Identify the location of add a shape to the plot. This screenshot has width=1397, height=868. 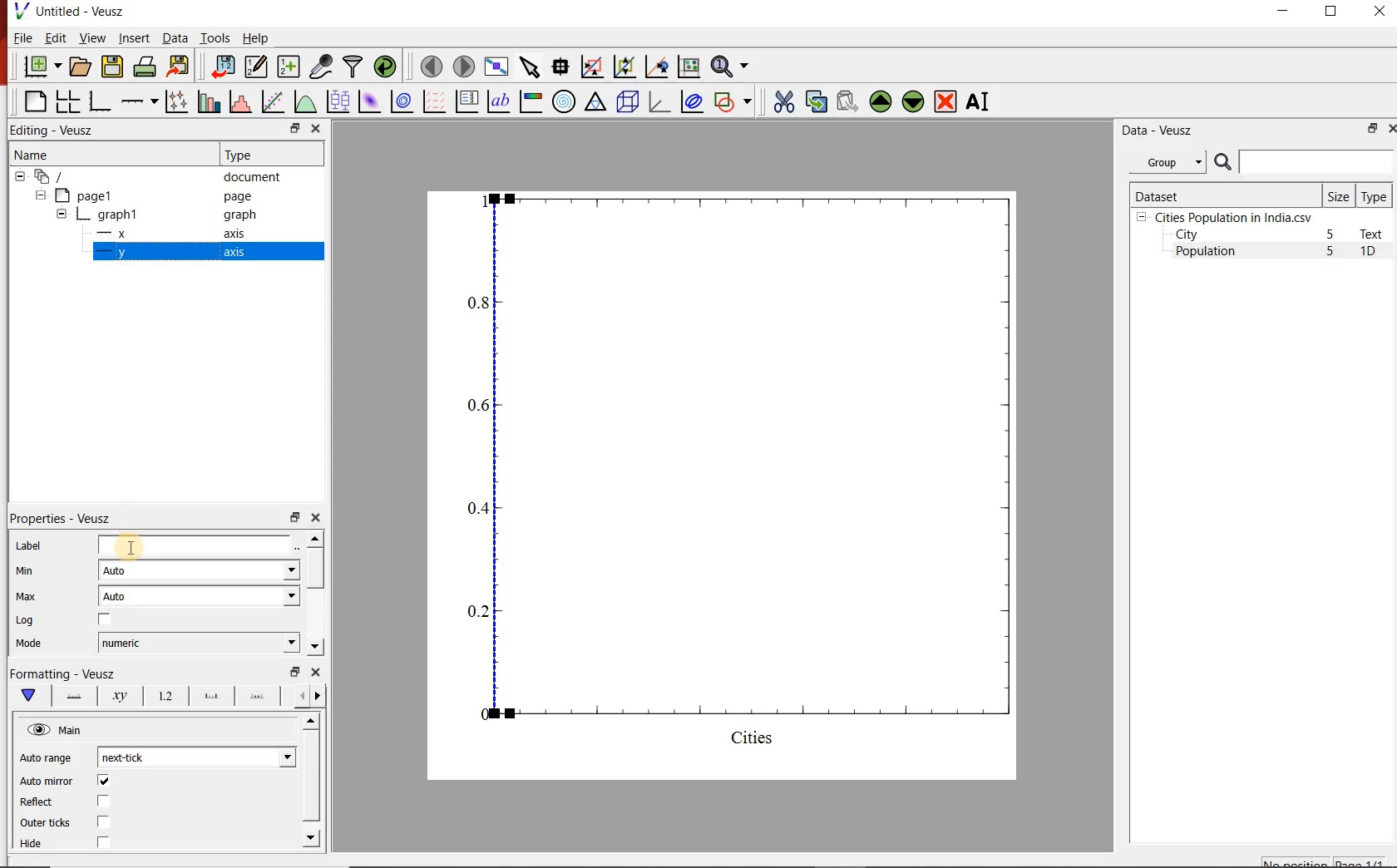
(733, 101).